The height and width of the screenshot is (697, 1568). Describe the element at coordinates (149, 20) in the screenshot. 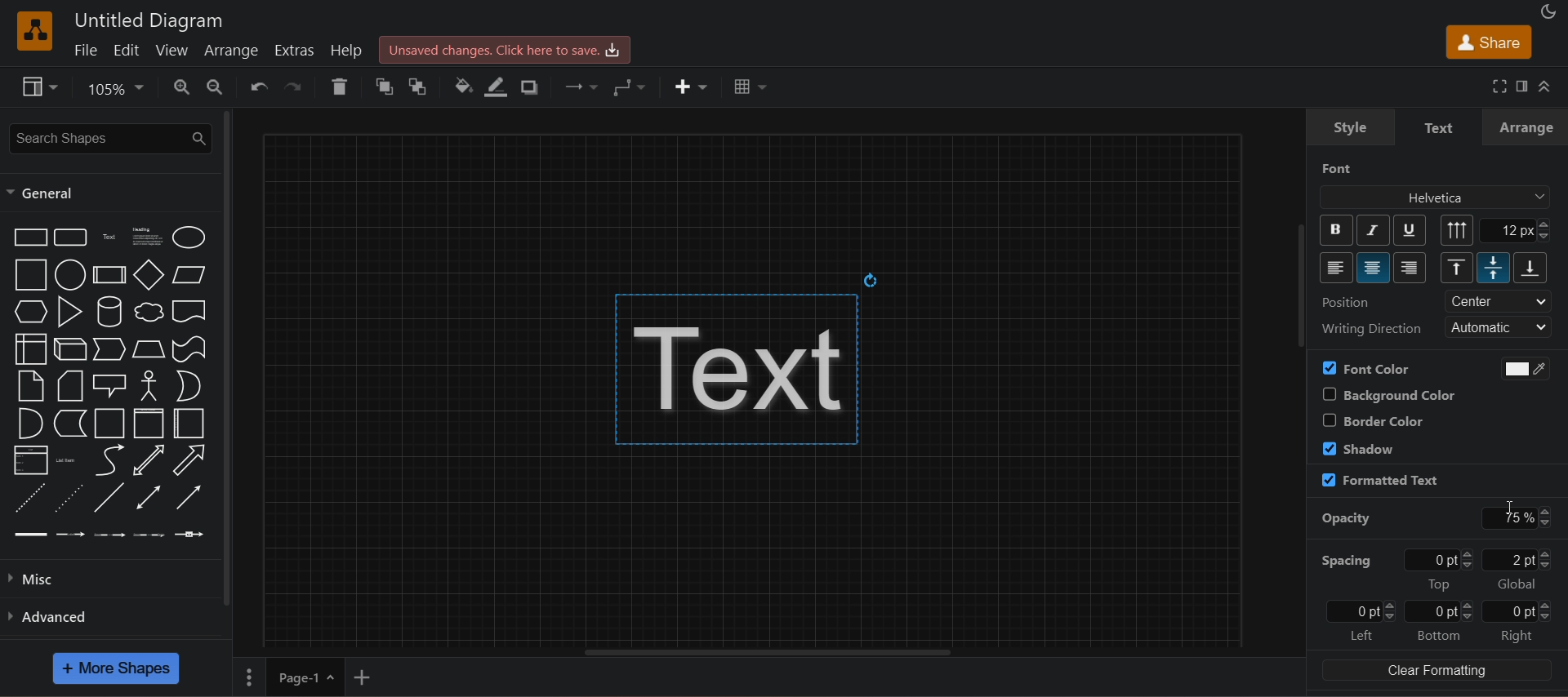

I see `title` at that location.